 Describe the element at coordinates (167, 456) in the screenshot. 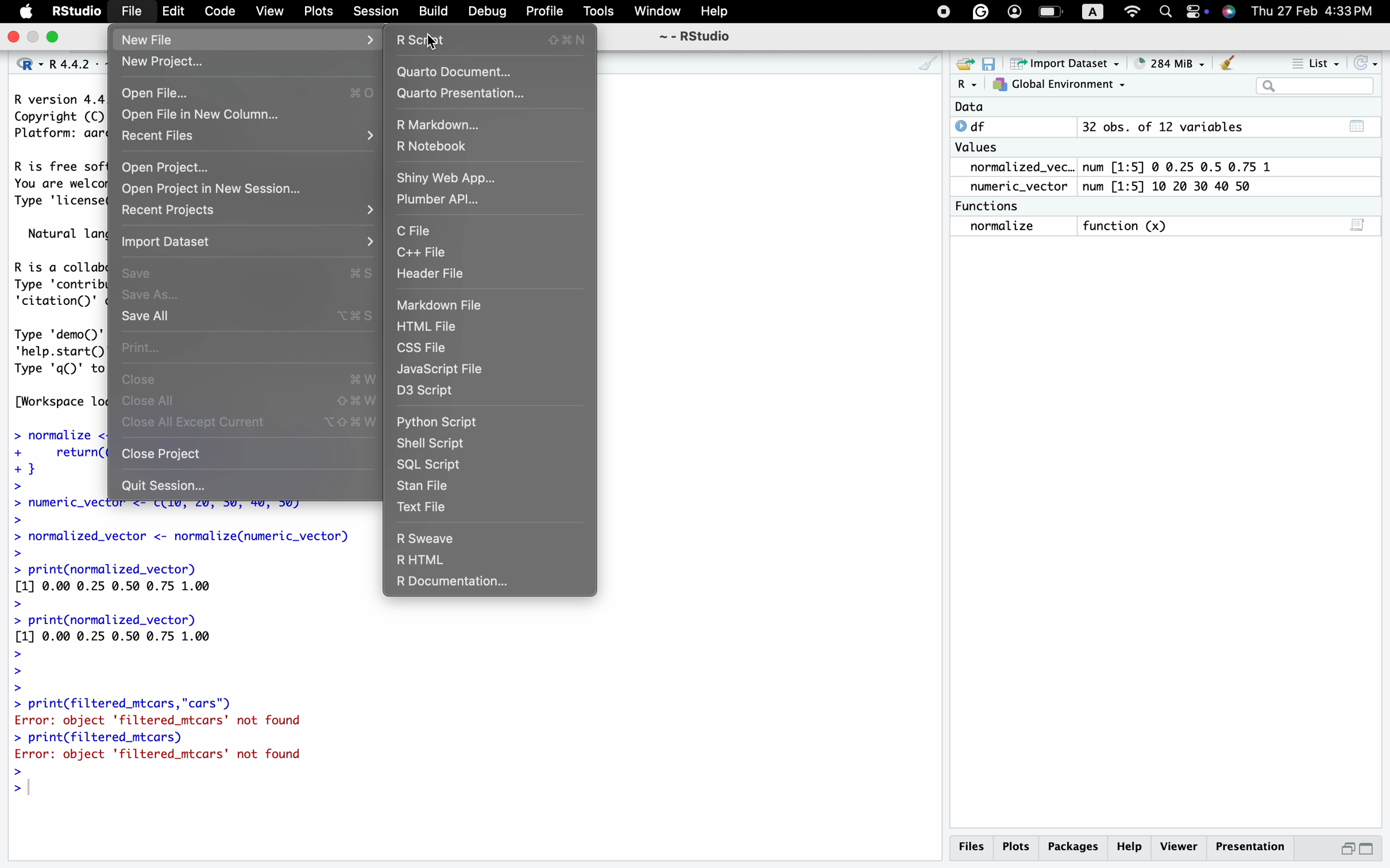

I see `Close Project` at that location.